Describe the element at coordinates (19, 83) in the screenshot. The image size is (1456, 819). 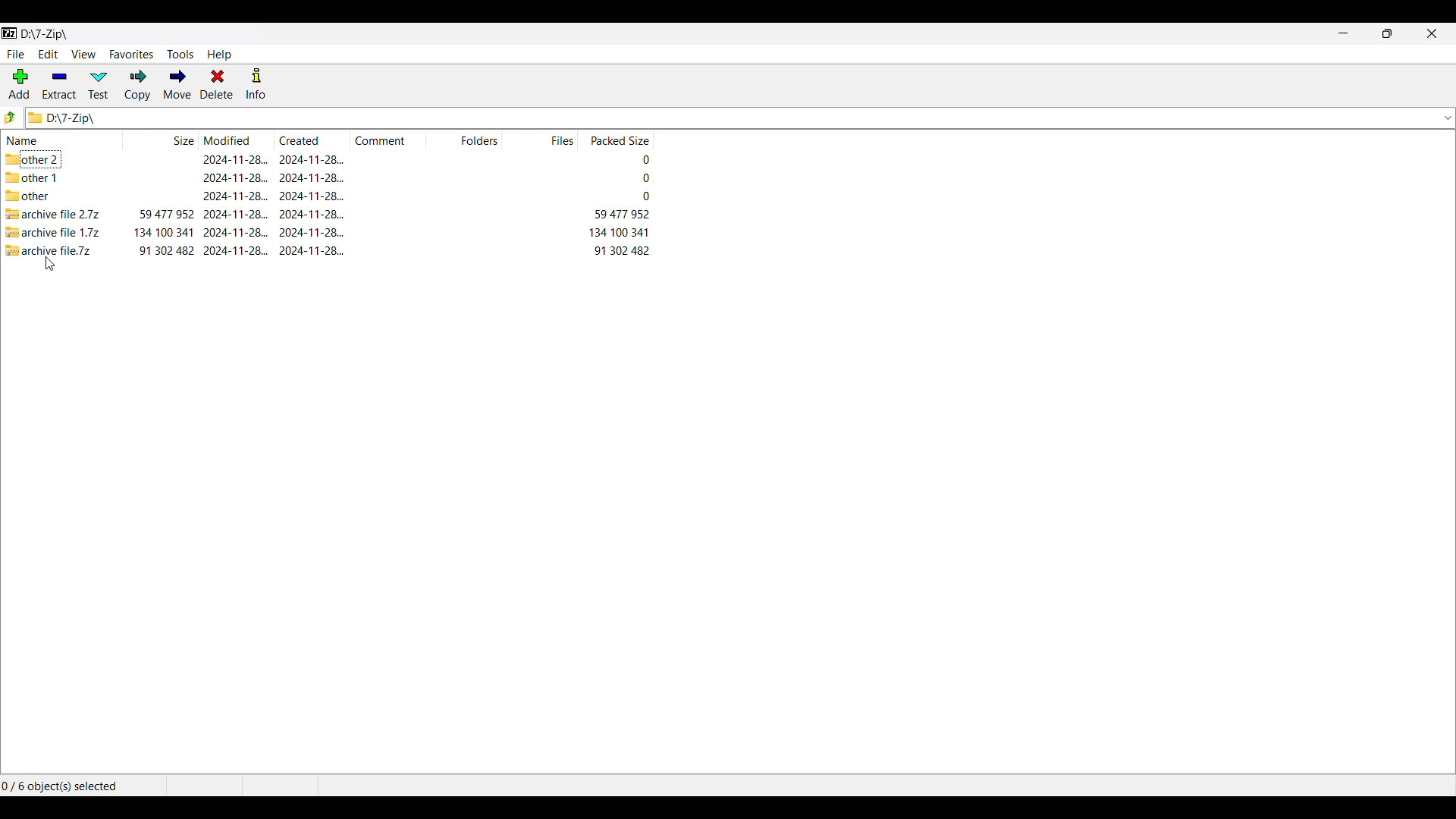
I see `Add` at that location.